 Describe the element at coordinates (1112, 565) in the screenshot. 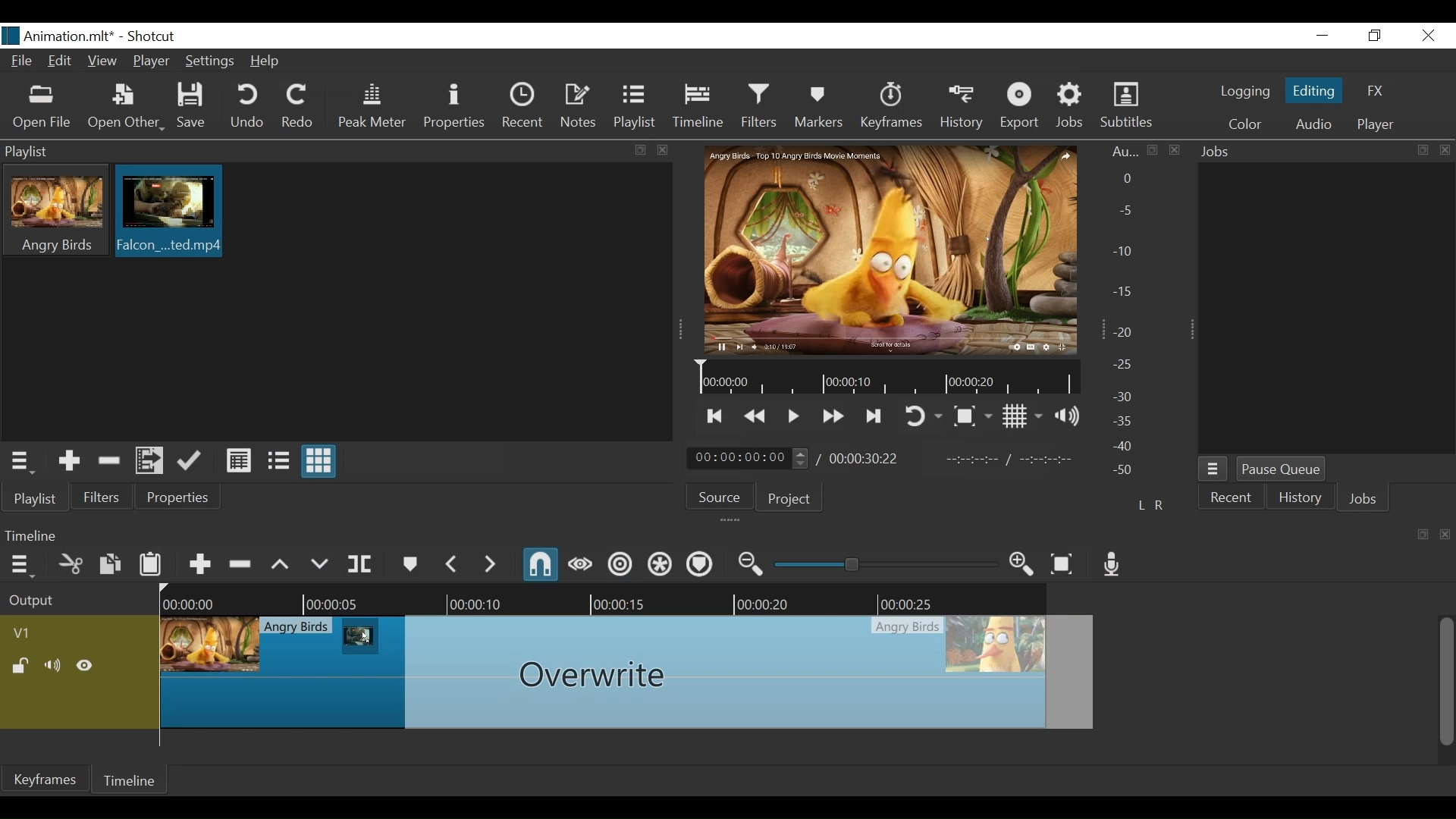

I see `Record Audio` at that location.